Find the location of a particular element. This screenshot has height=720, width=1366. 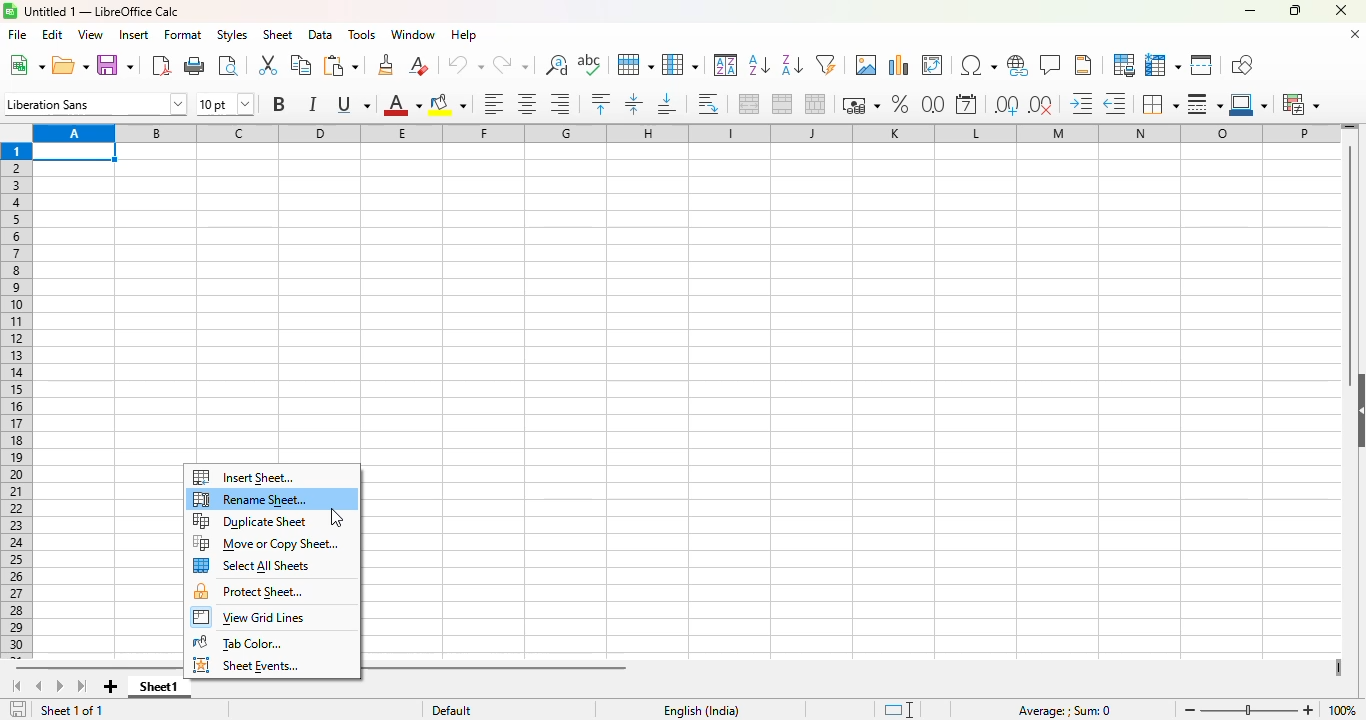

show draw functions is located at coordinates (1240, 64).